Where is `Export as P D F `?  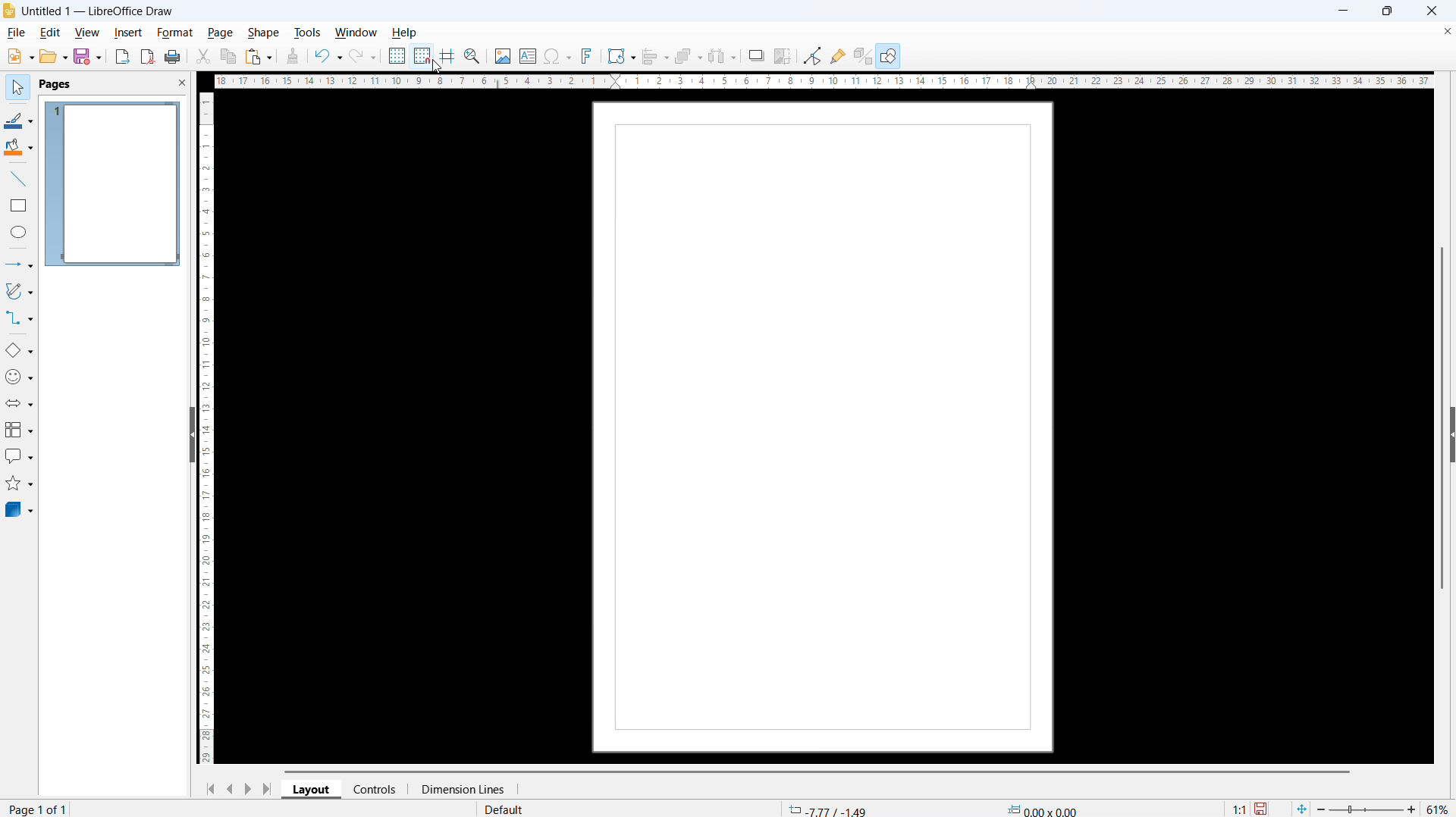
Export as P D F  is located at coordinates (147, 57).